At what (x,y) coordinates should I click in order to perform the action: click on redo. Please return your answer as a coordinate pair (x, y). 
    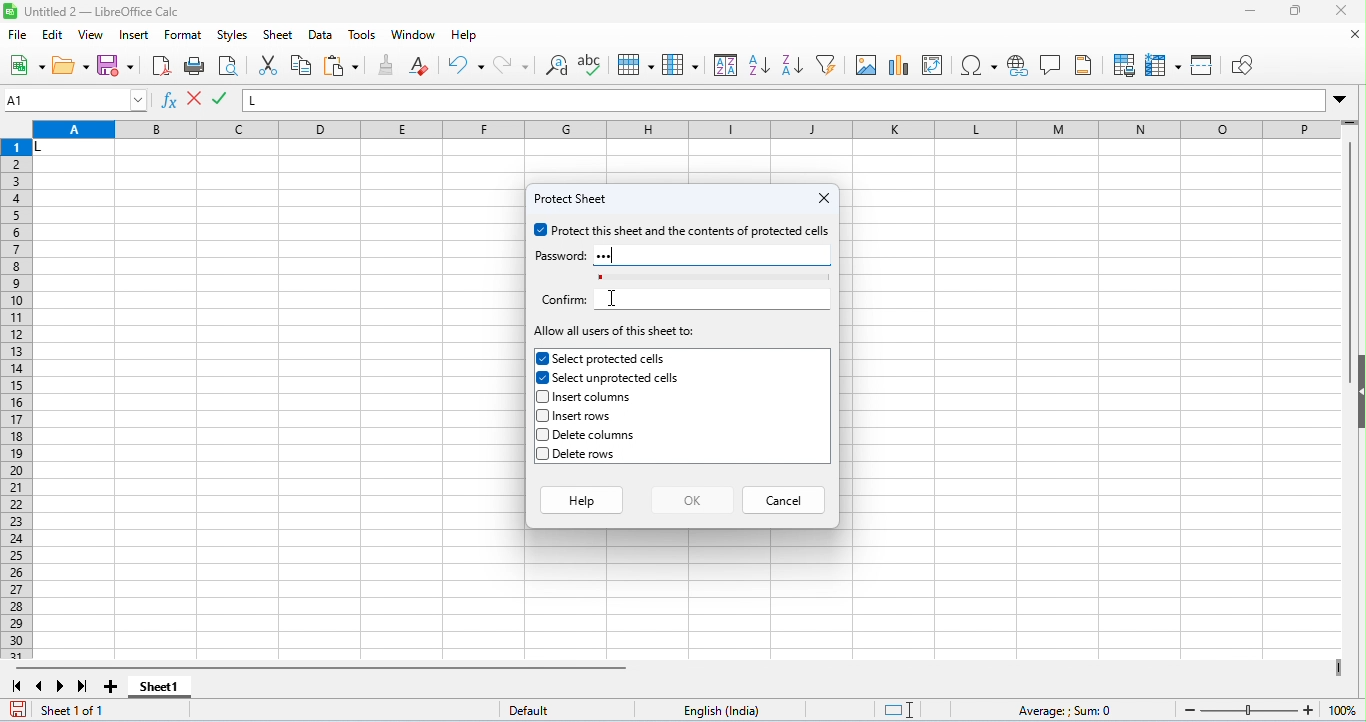
    Looking at the image, I should click on (511, 65).